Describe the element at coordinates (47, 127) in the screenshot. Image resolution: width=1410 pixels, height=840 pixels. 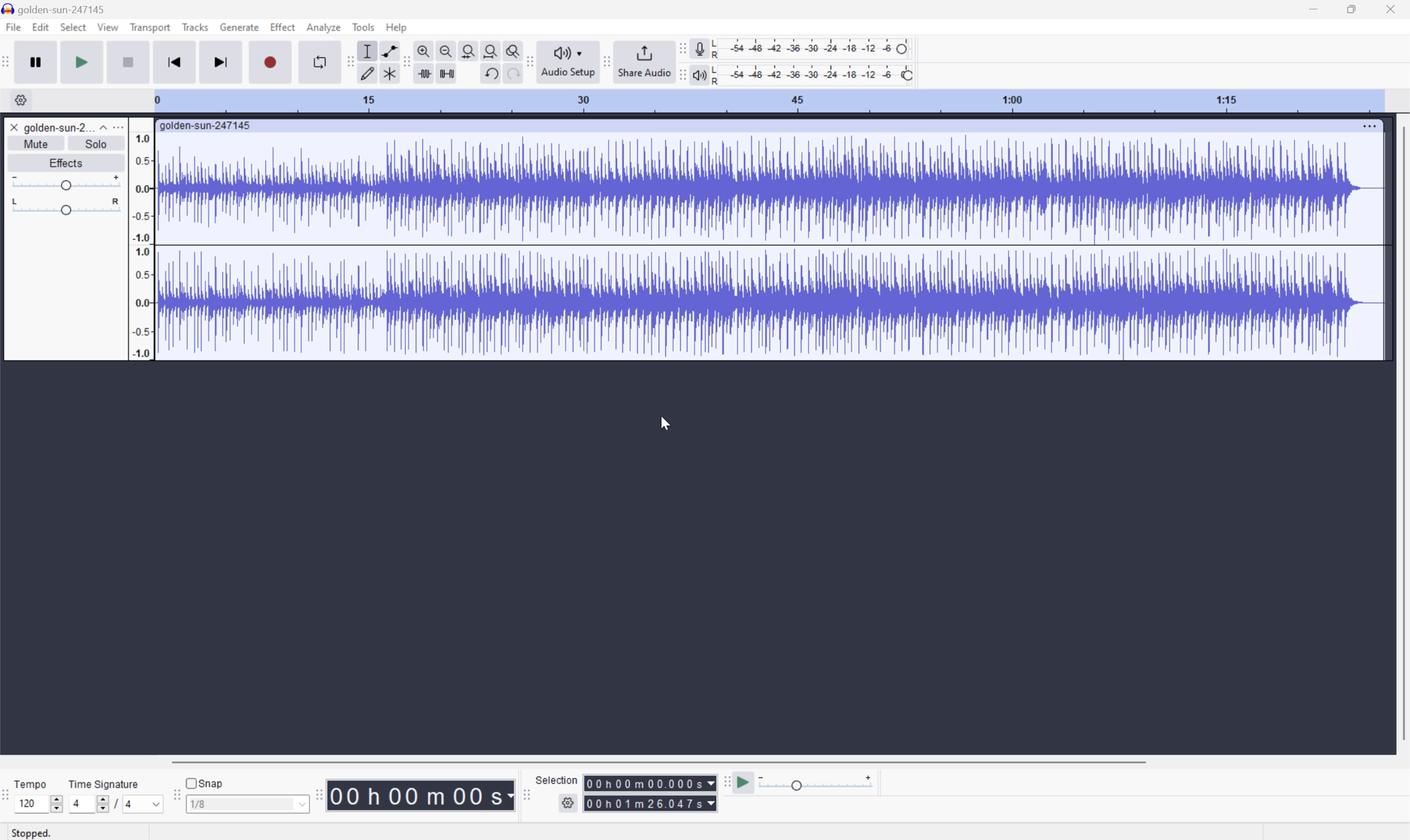
I see `golden-sun` at that location.